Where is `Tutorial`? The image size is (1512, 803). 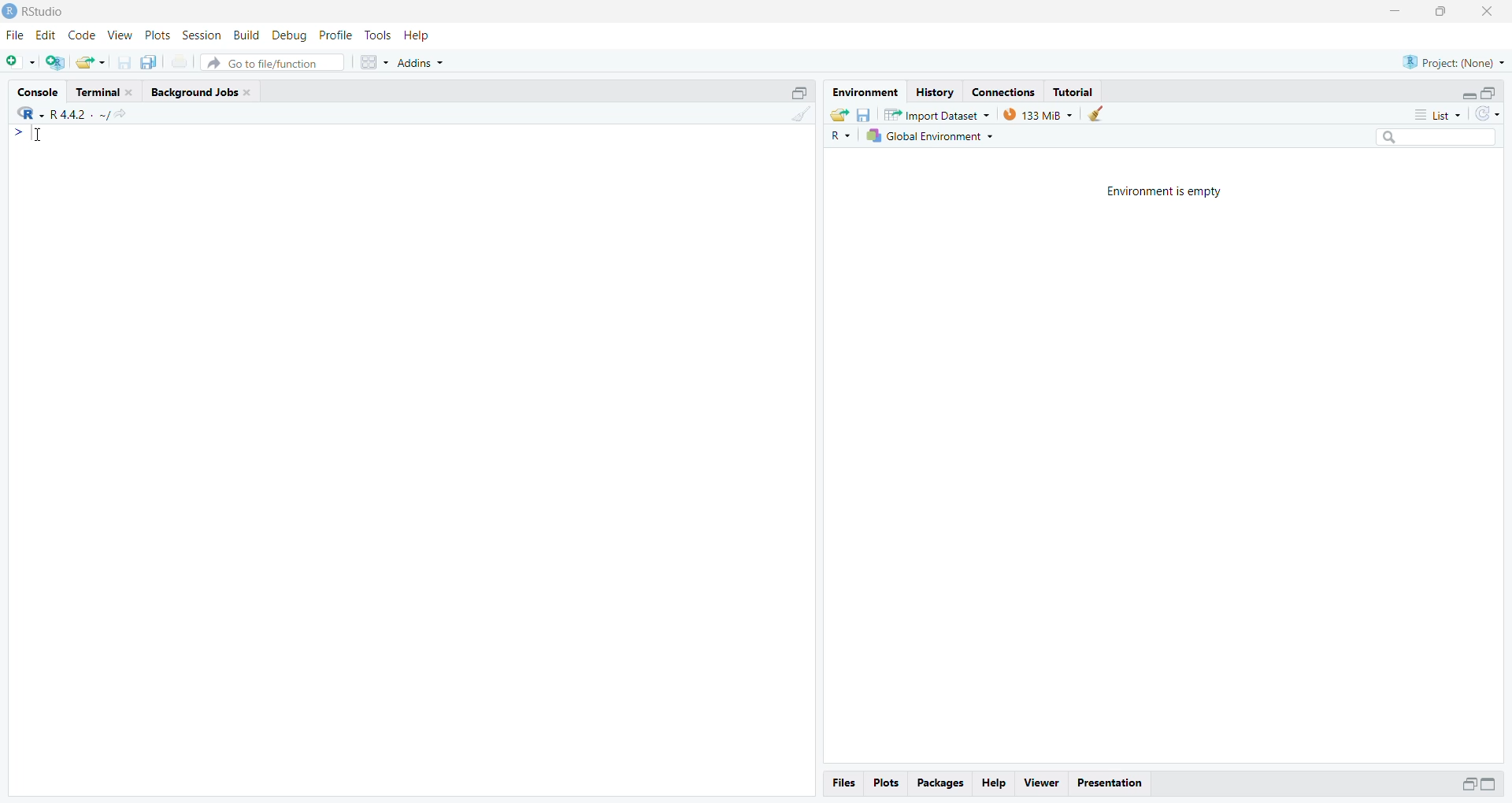
Tutorial is located at coordinates (1072, 92).